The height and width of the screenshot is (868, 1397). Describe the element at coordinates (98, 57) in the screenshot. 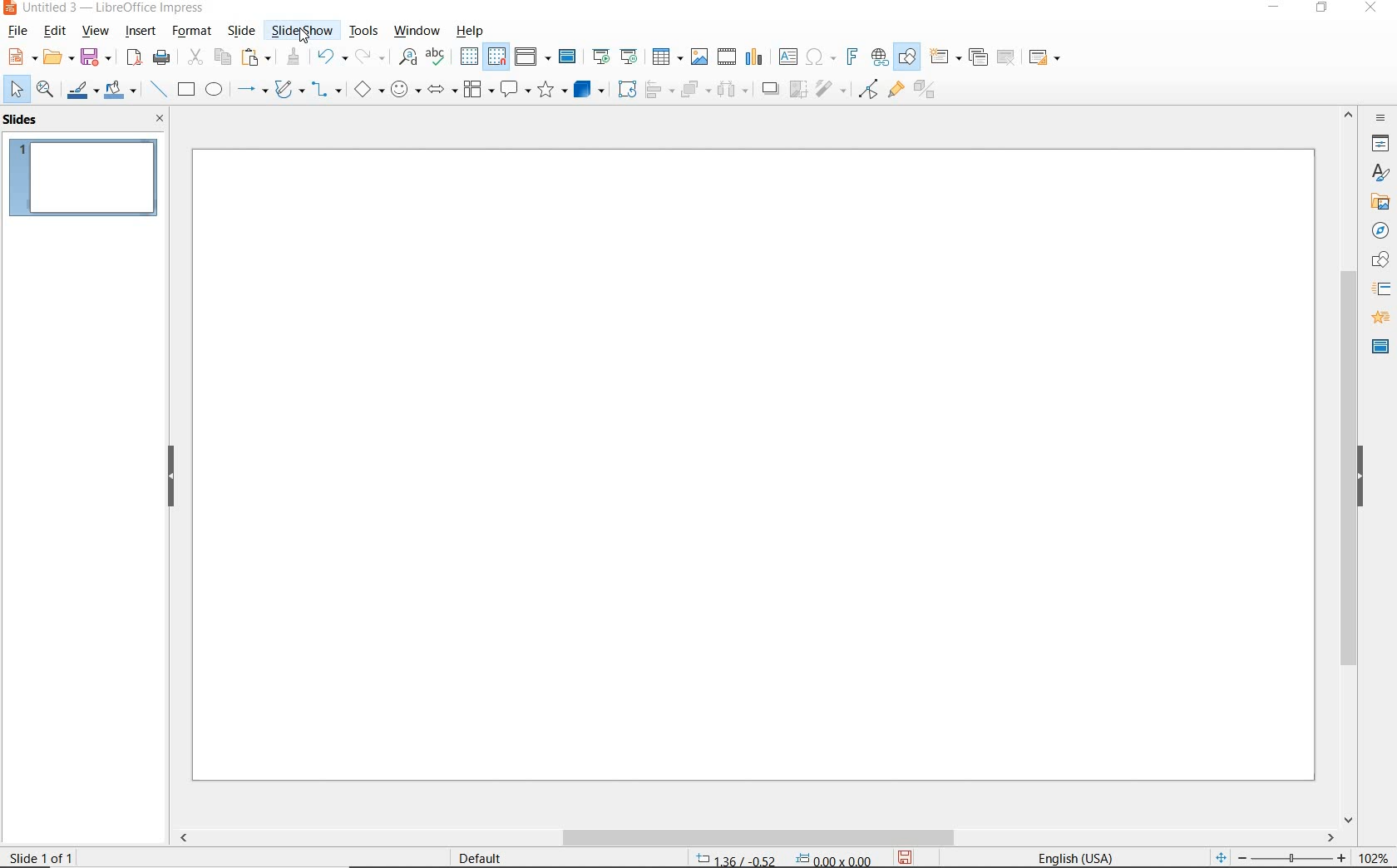

I see `SAVE` at that location.